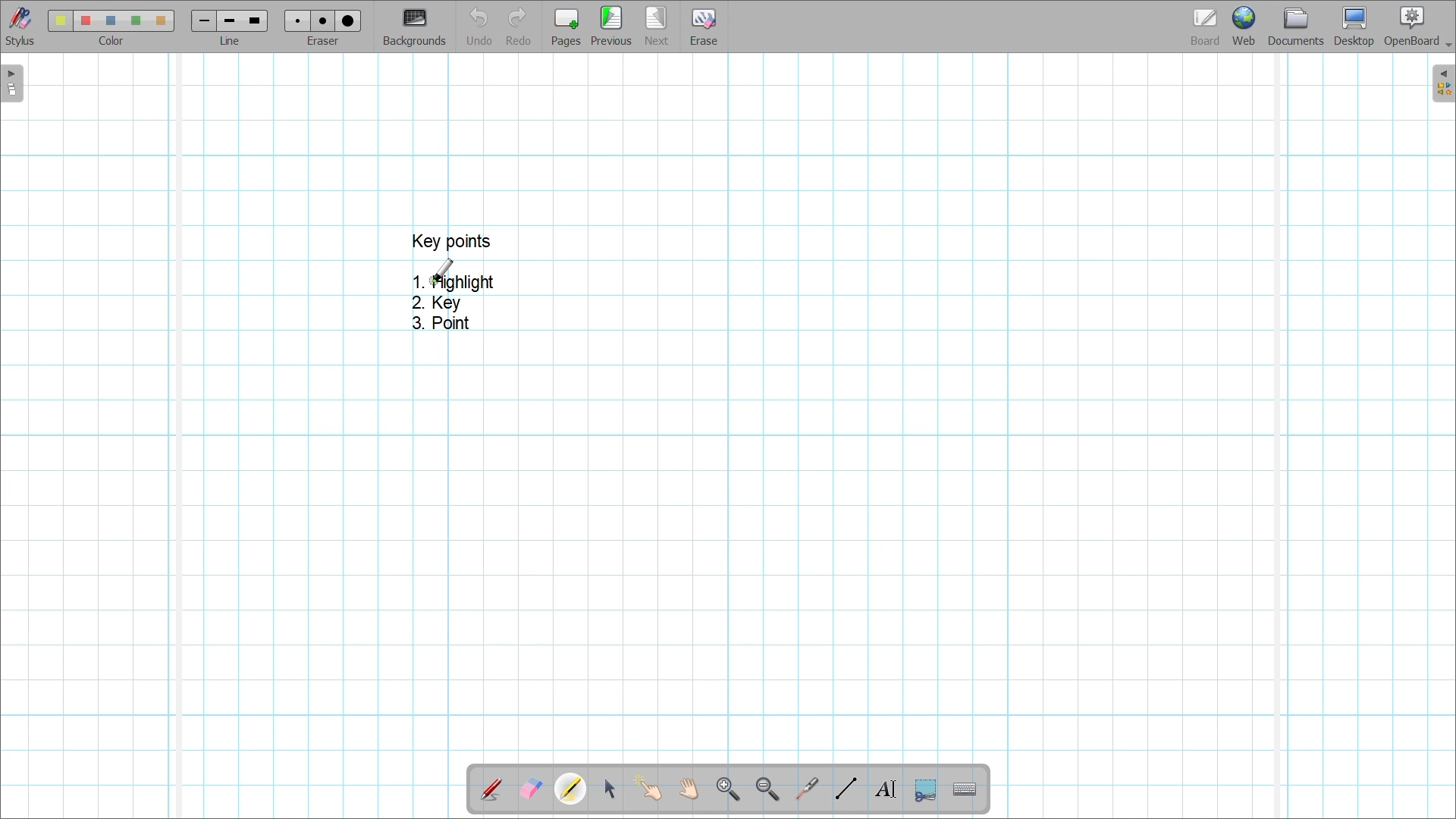  Describe the element at coordinates (703, 27) in the screenshot. I see `Erase entire page` at that location.